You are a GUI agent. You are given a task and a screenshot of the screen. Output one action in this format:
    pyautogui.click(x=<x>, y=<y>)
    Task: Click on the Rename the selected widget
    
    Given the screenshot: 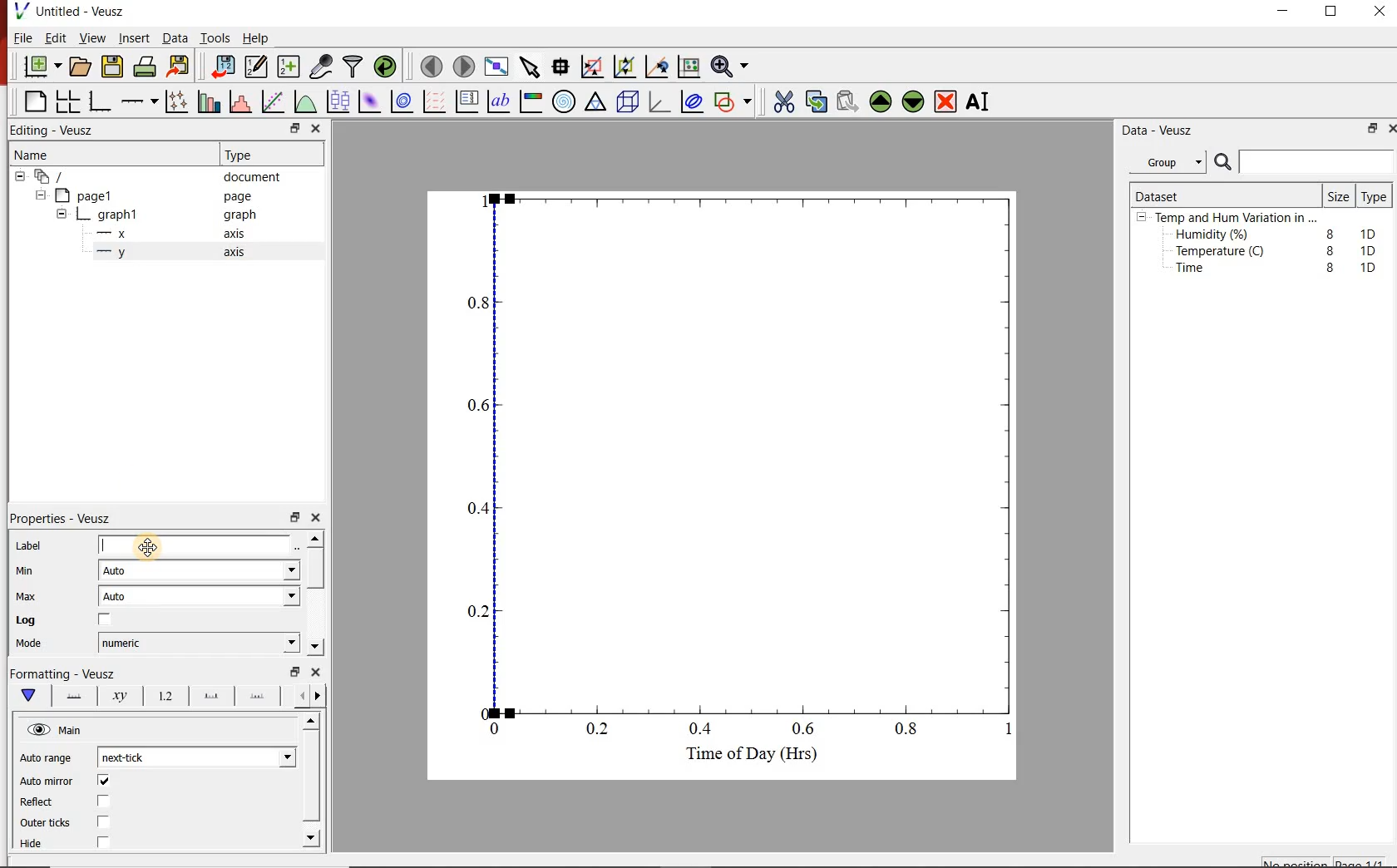 What is the action you would take?
    pyautogui.click(x=981, y=101)
    